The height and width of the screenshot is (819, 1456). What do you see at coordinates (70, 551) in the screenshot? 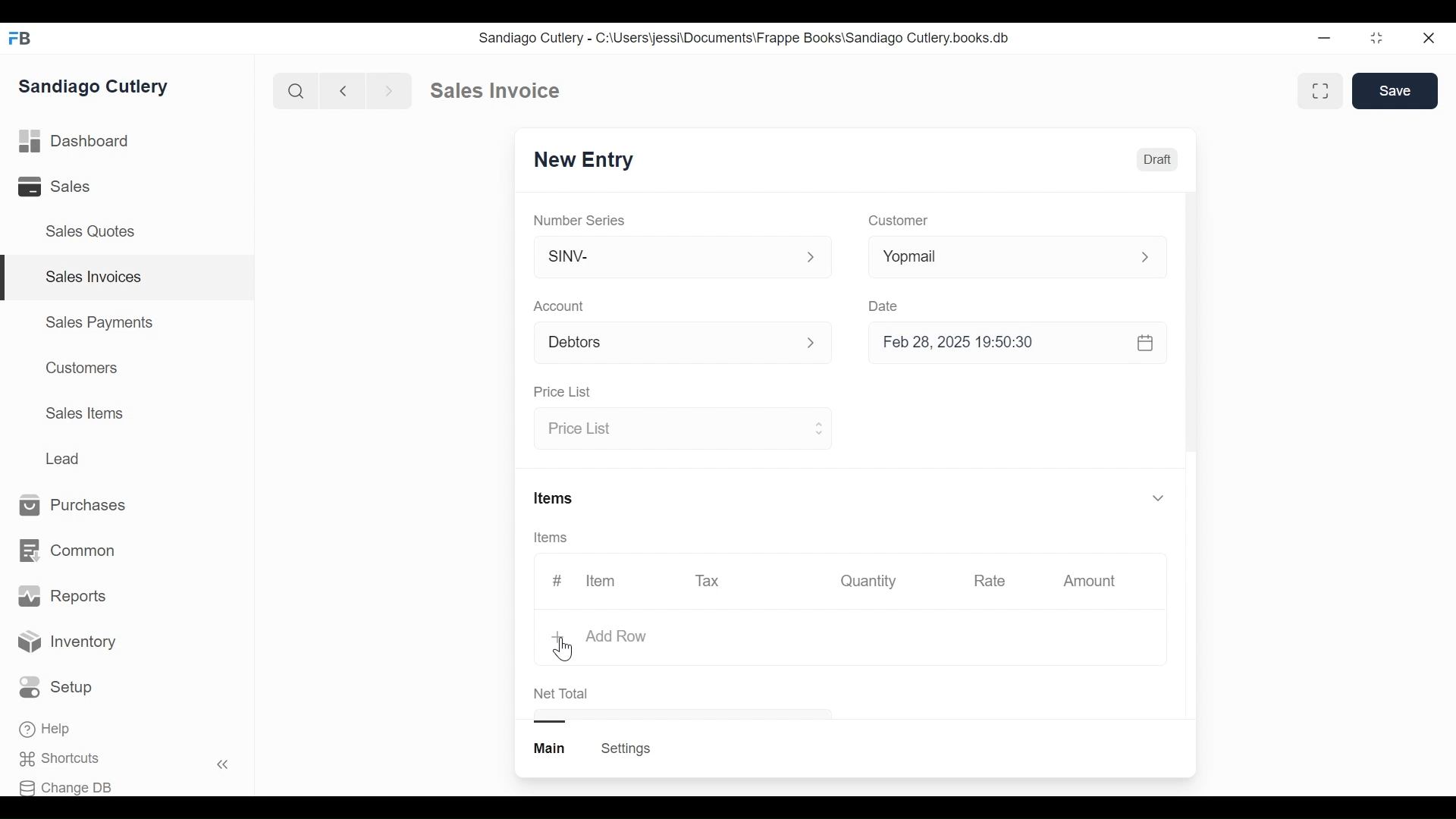
I see `Common` at bounding box center [70, 551].